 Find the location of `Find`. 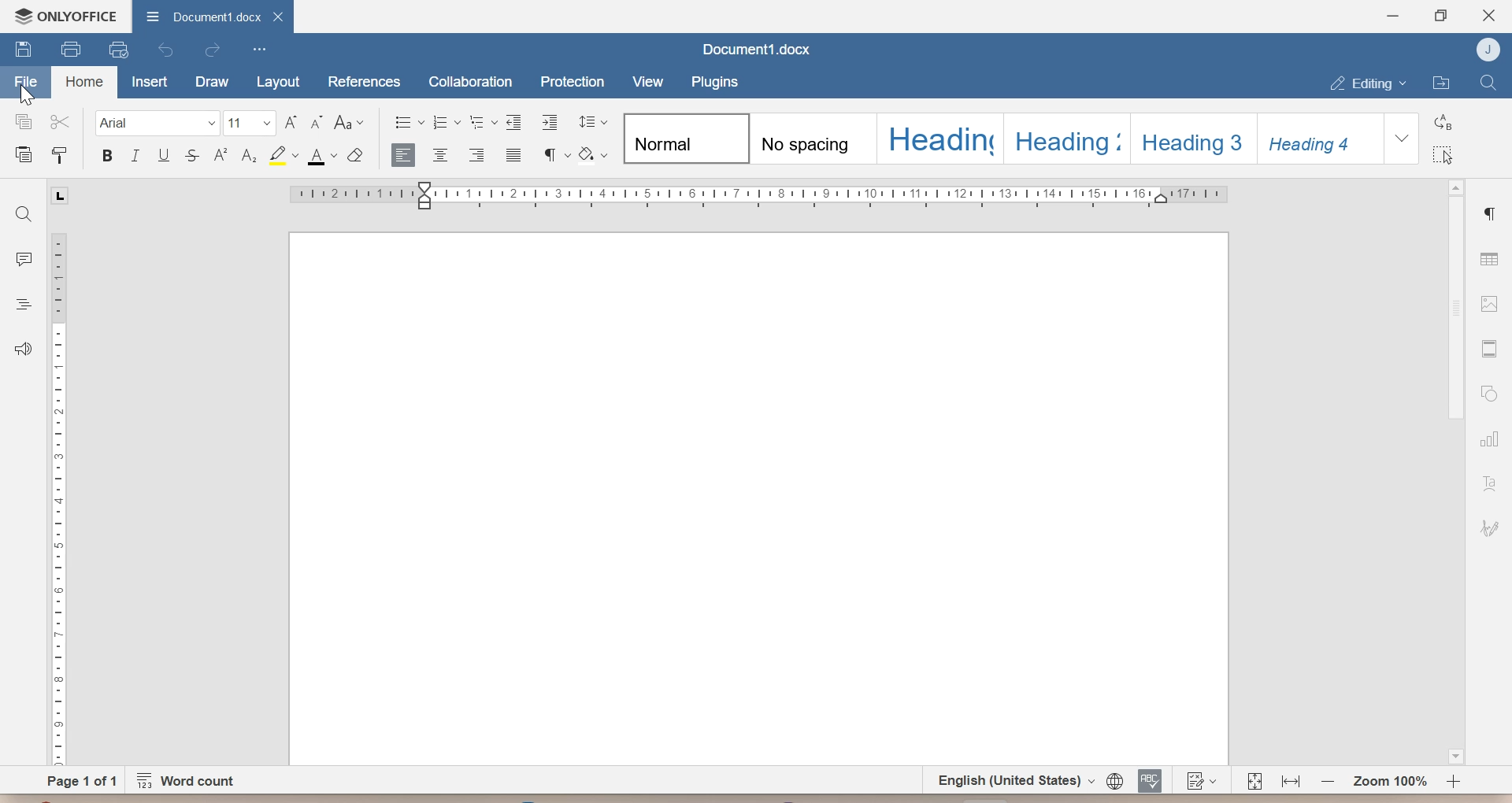

Find is located at coordinates (1488, 83).